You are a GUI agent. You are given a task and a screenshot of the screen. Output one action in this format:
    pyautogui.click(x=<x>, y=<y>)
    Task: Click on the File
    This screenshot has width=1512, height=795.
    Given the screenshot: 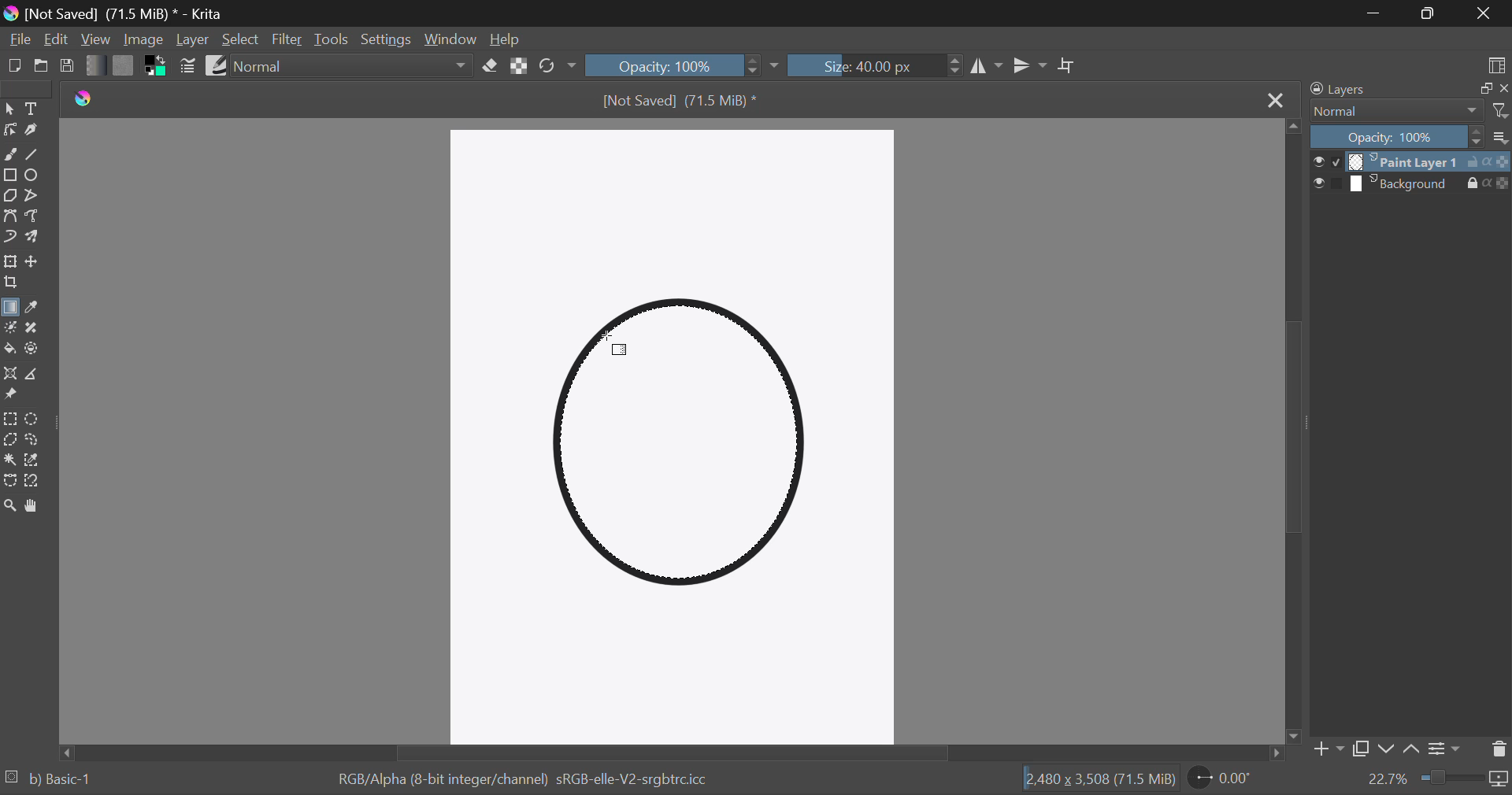 What is the action you would take?
    pyautogui.click(x=18, y=39)
    